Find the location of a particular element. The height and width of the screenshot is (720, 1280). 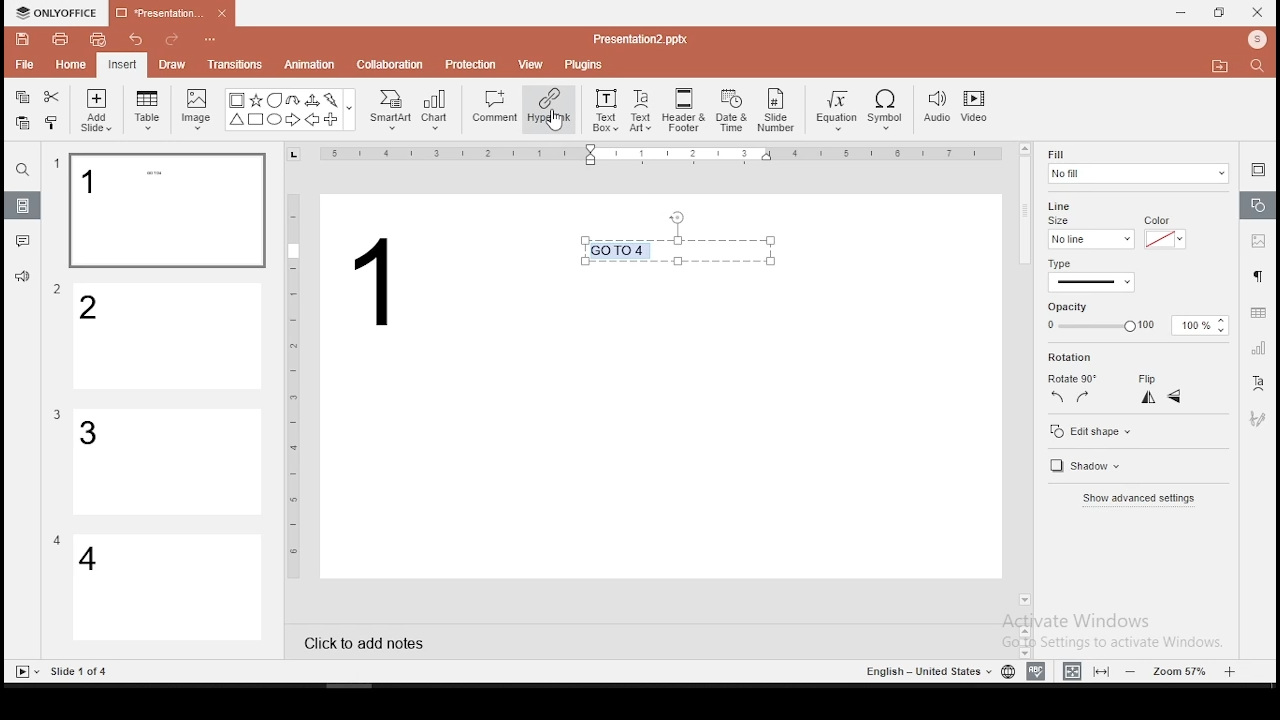

Arrow Right is located at coordinates (294, 121).